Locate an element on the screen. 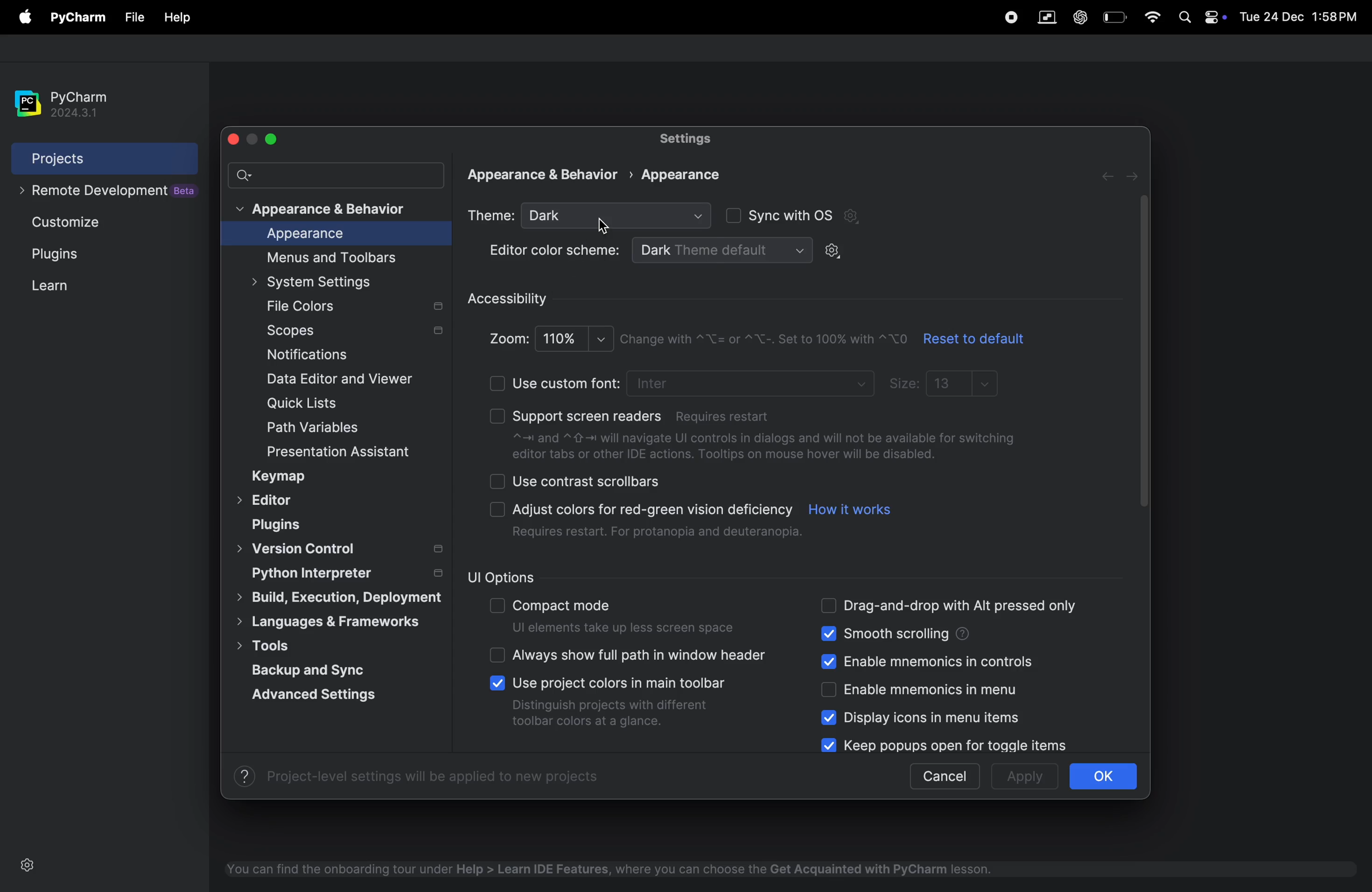 This screenshot has height=892, width=1372. file colors is located at coordinates (350, 307).